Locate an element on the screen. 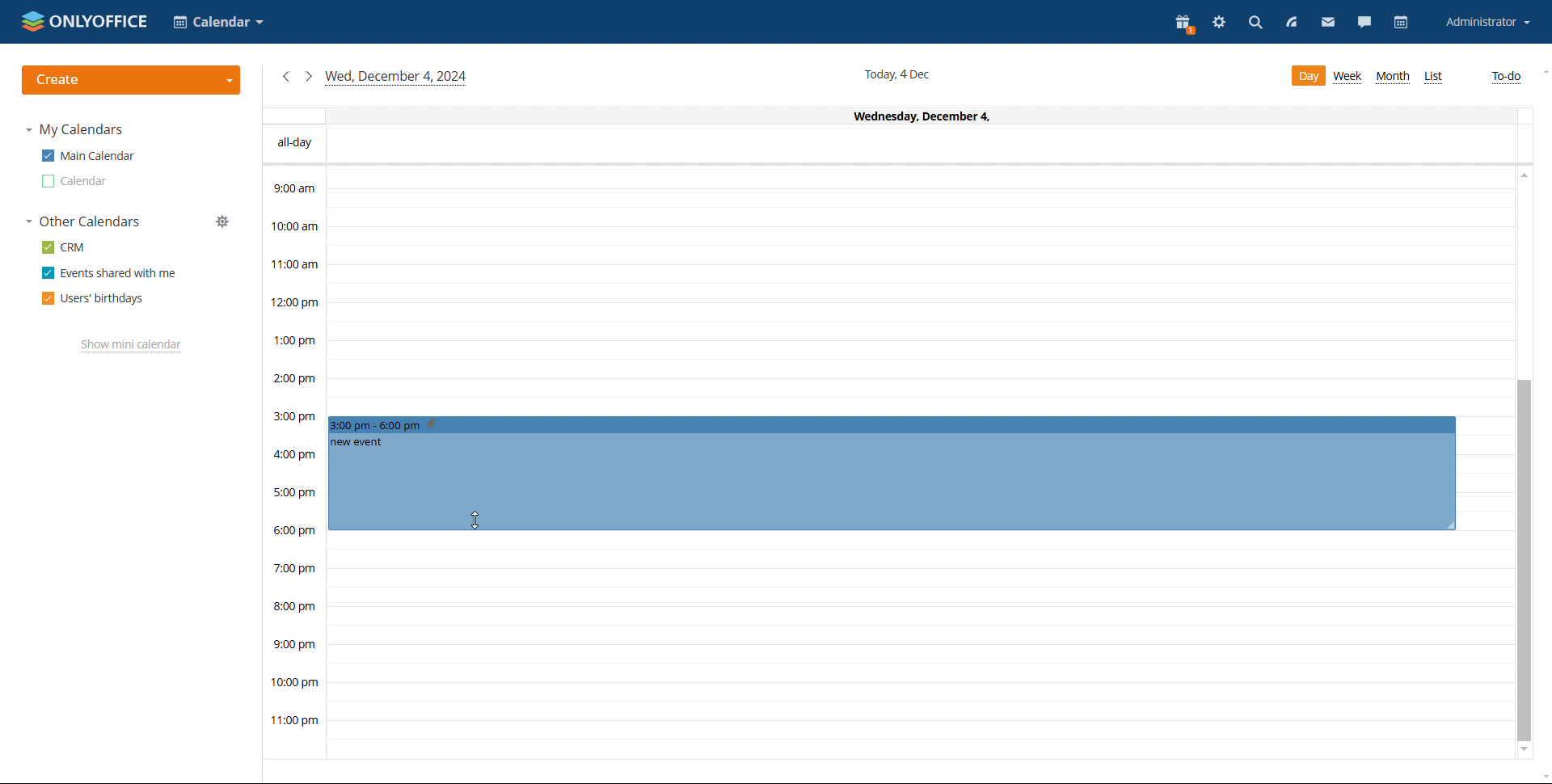 The image size is (1552, 784). calendar is located at coordinates (75, 181).